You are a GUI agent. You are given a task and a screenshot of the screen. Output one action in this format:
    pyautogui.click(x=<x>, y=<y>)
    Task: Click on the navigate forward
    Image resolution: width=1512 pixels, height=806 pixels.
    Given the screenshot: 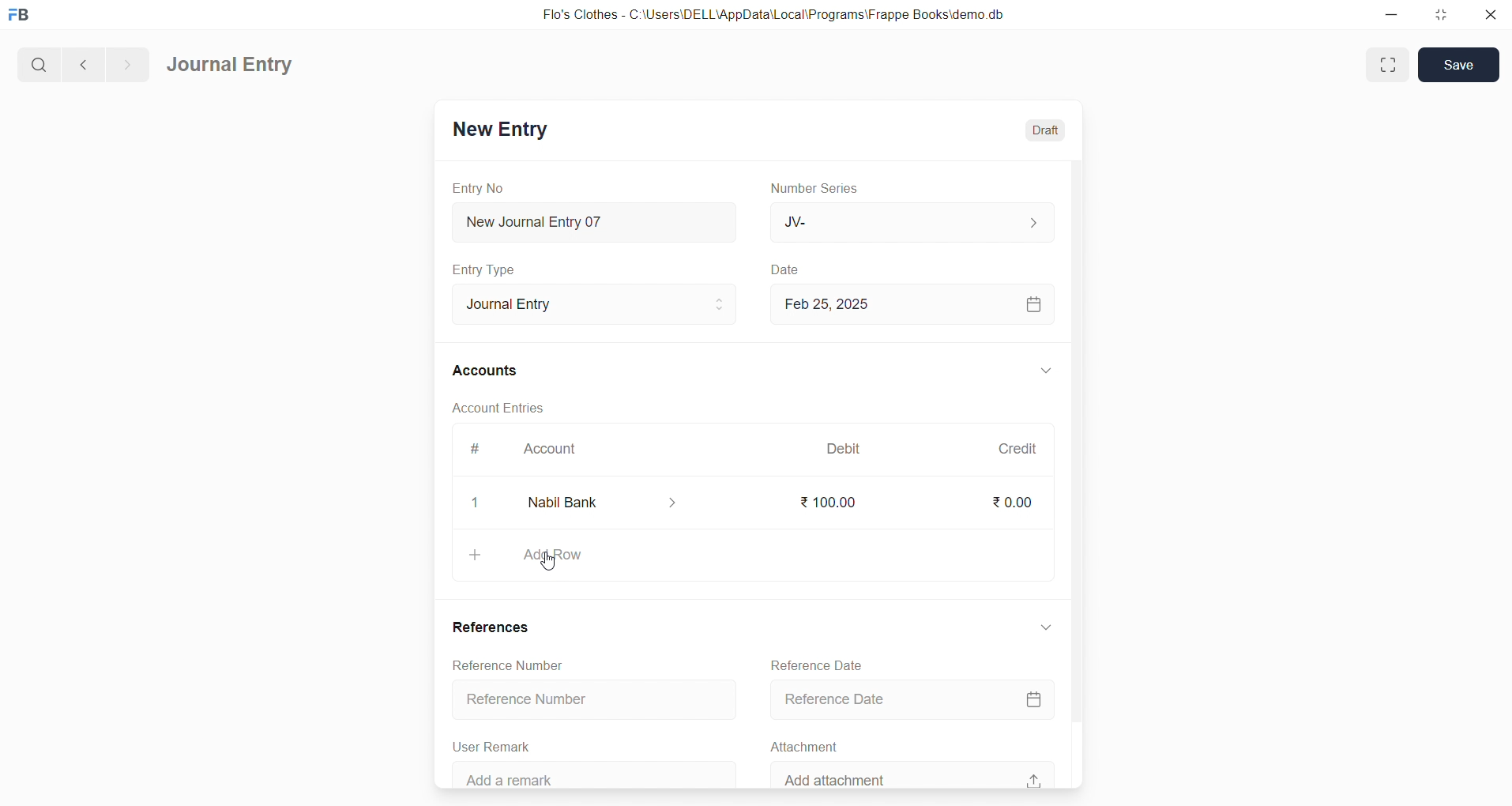 What is the action you would take?
    pyautogui.click(x=127, y=62)
    